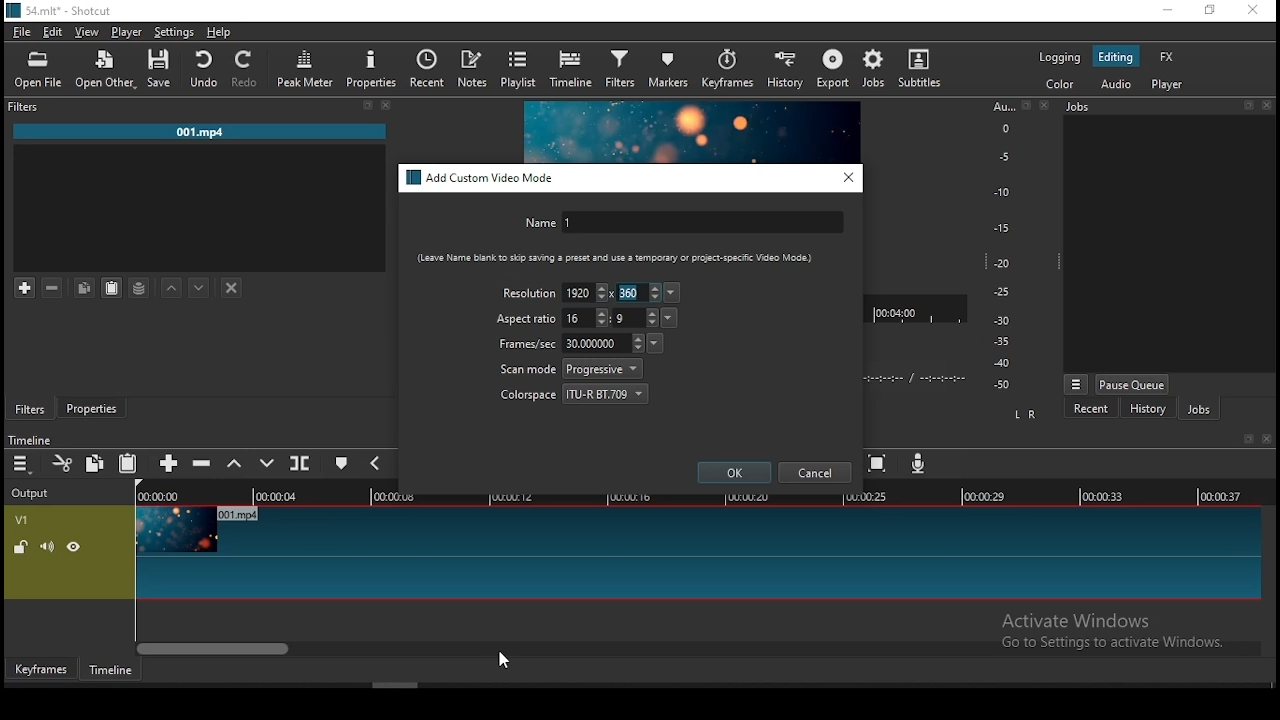 The height and width of the screenshot is (720, 1280). Describe the element at coordinates (38, 71) in the screenshot. I see `open file` at that location.